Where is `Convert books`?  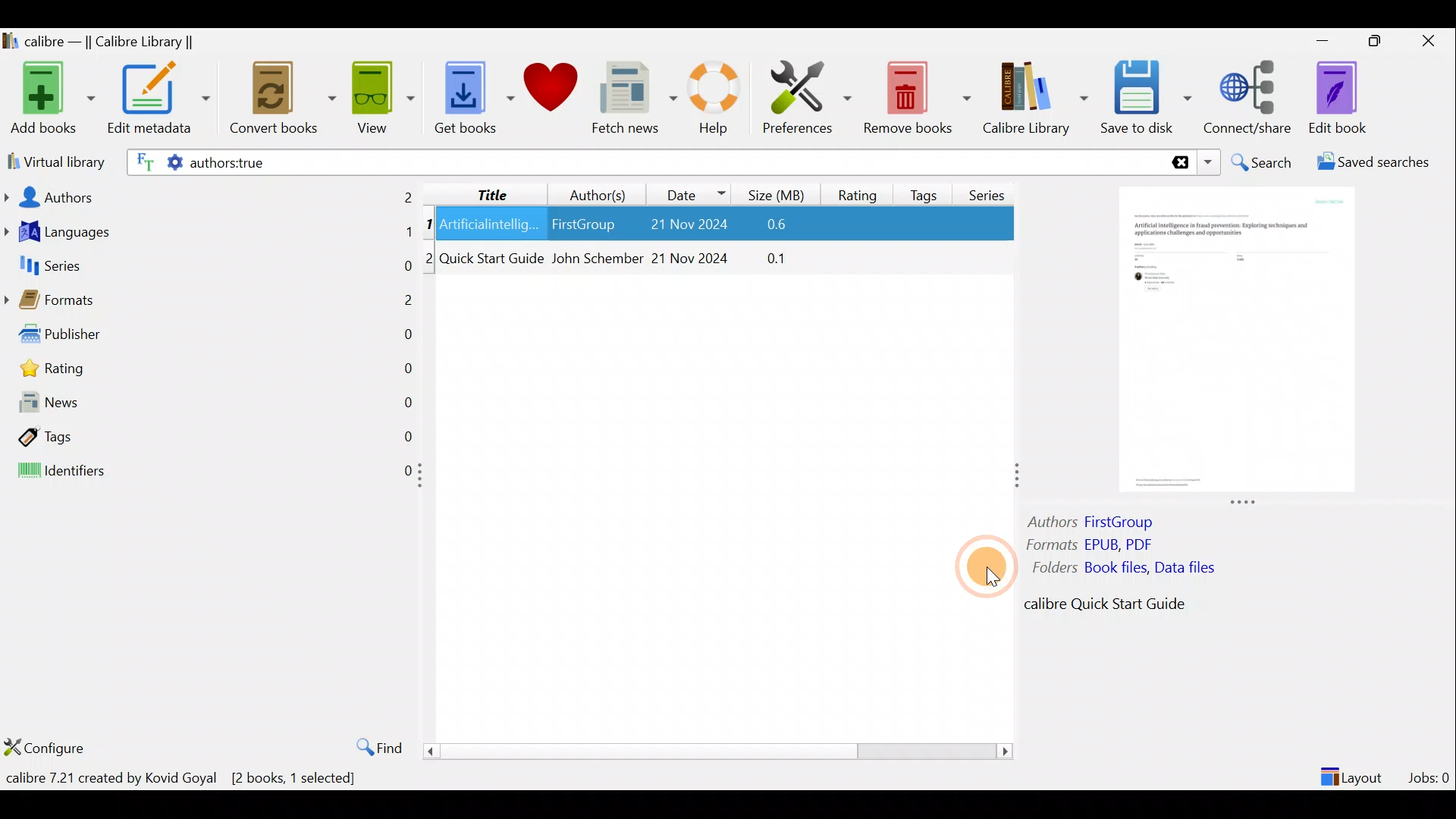 Convert books is located at coordinates (283, 99).